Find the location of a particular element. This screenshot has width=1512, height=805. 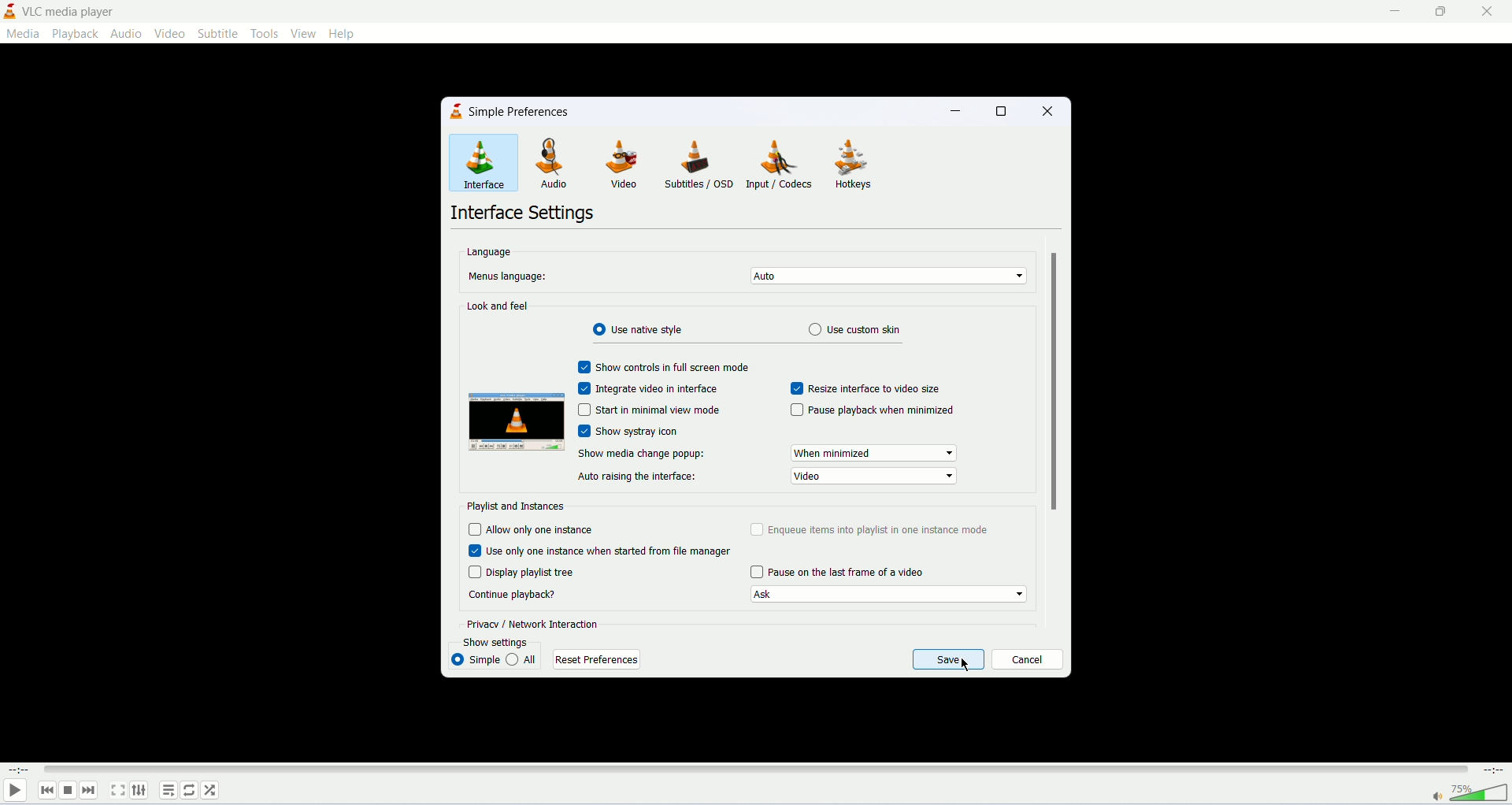

show systray icon is located at coordinates (635, 431).